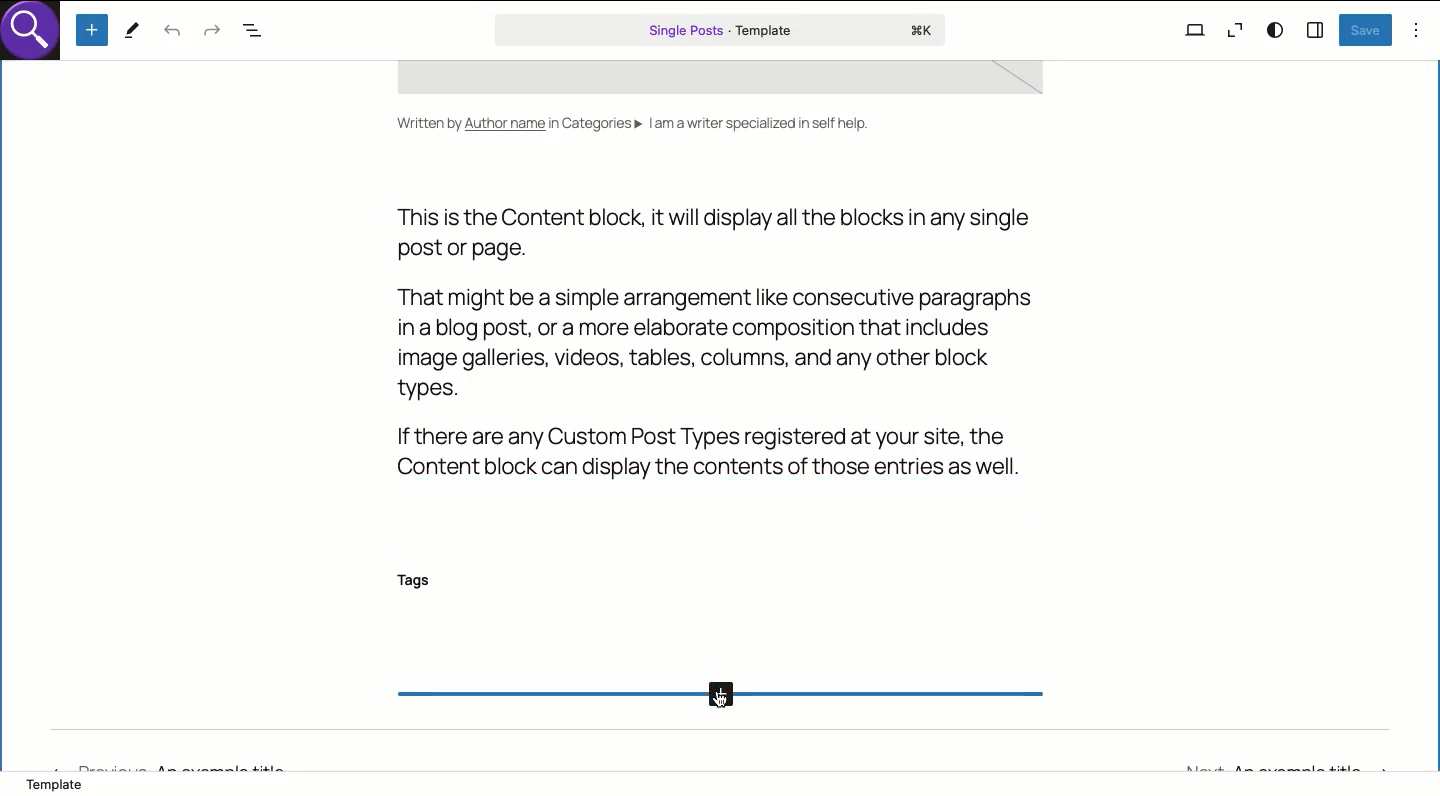  What do you see at coordinates (1366, 30) in the screenshot?
I see `Save` at bounding box center [1366, 30].